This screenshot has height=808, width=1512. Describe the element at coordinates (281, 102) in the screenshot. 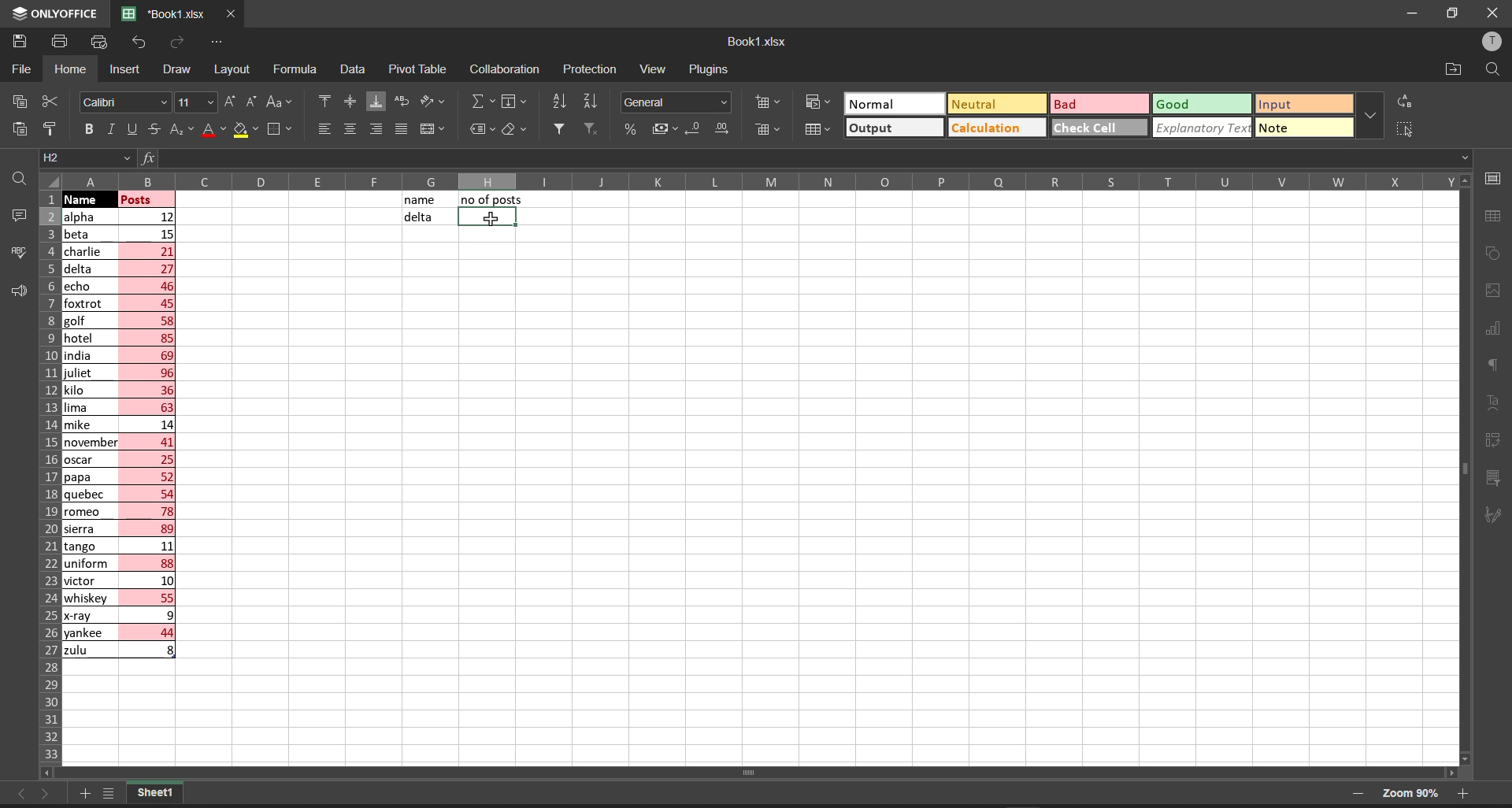

I see `change case` at that location.